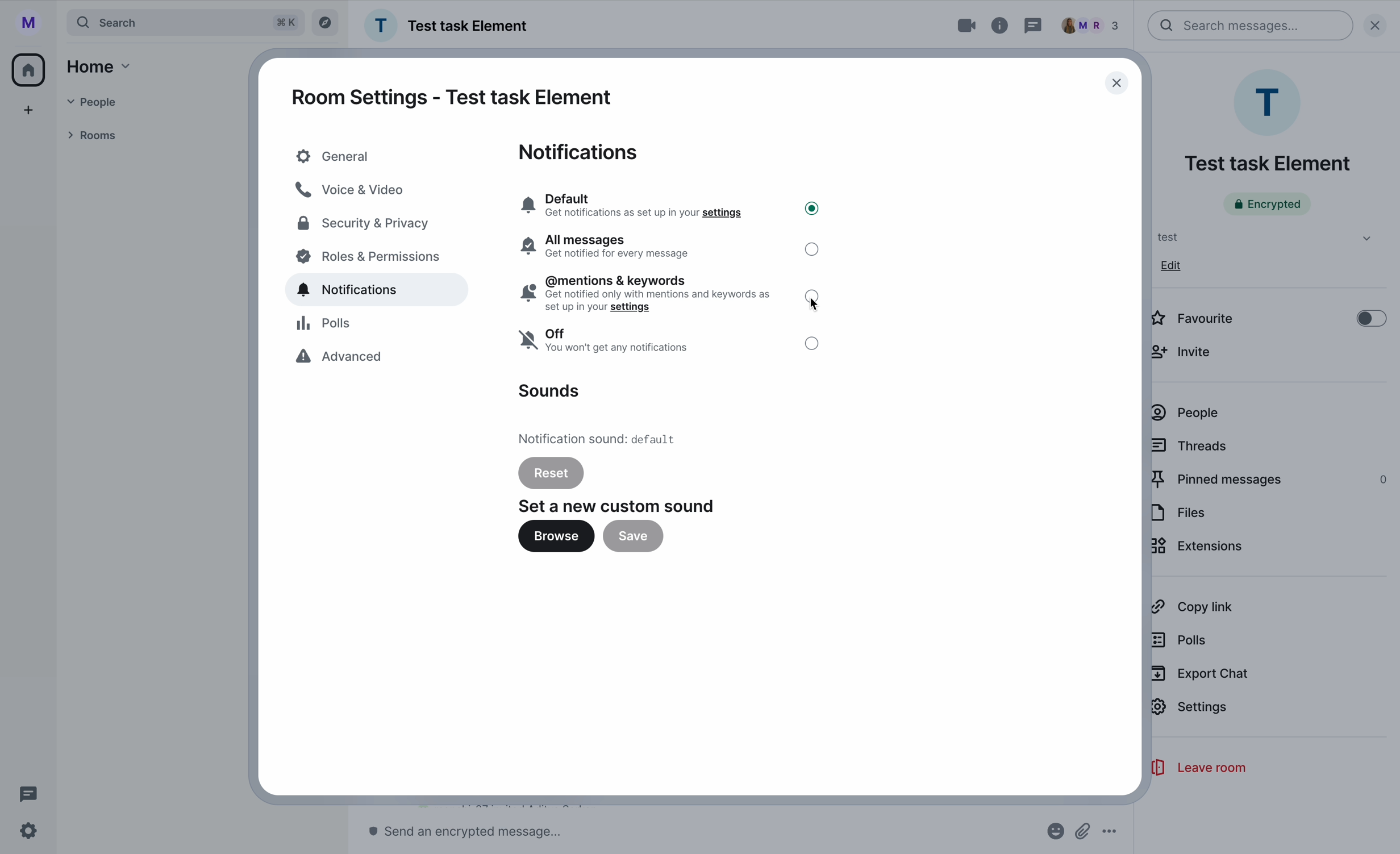  I want to click on advanced, so click(343, 359).